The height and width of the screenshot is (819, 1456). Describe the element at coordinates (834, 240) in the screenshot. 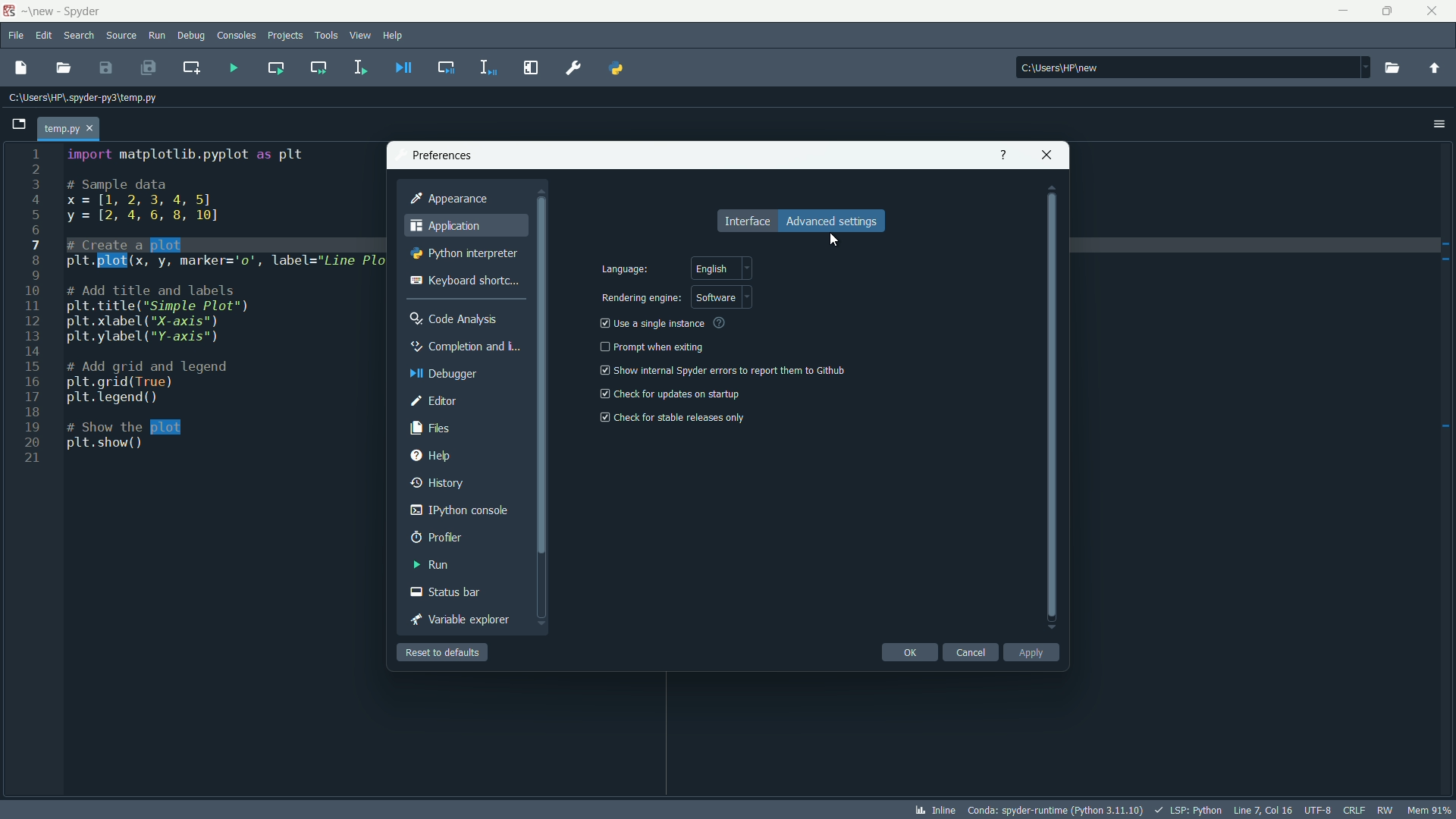

I see `cursor` at that location.